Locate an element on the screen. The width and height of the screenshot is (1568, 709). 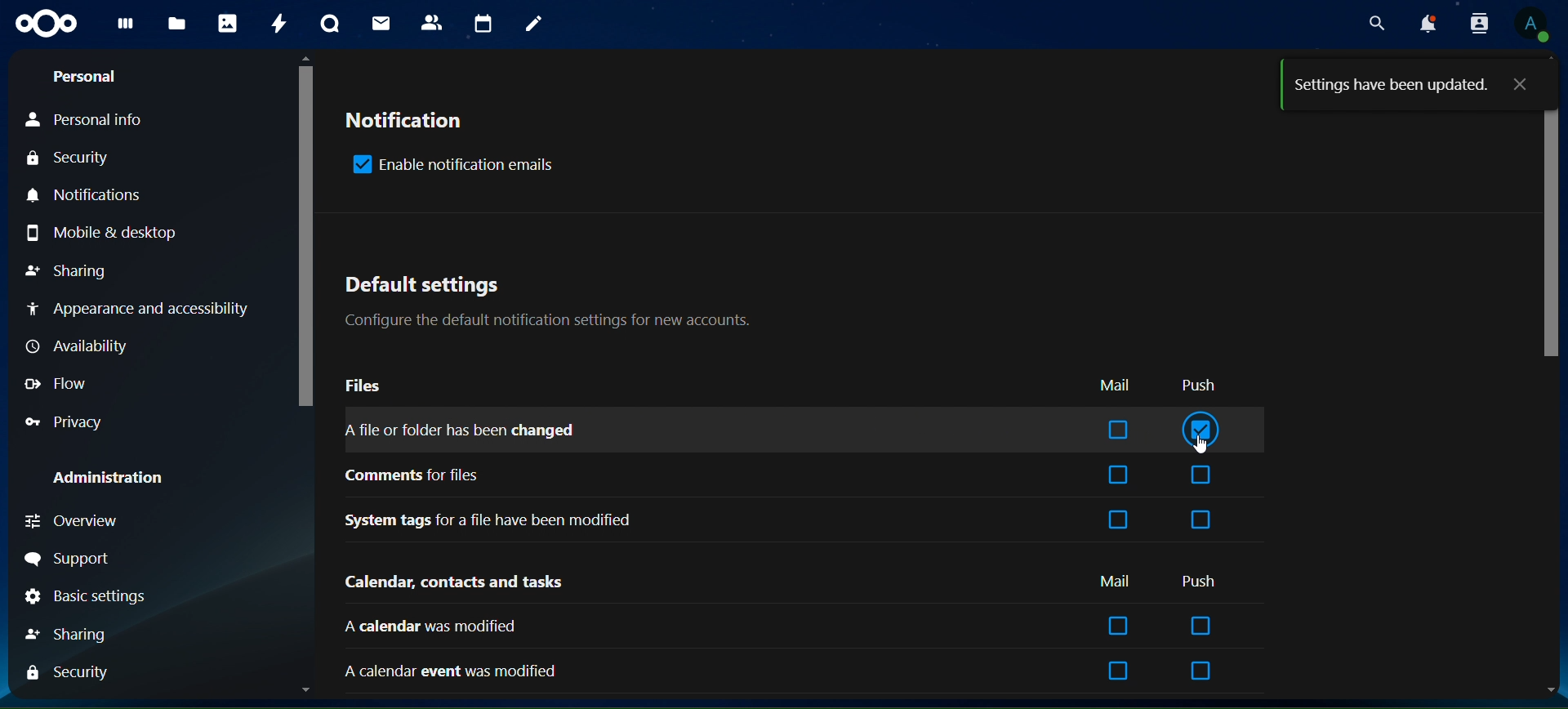
mail is located at coordinates (1117, 583).